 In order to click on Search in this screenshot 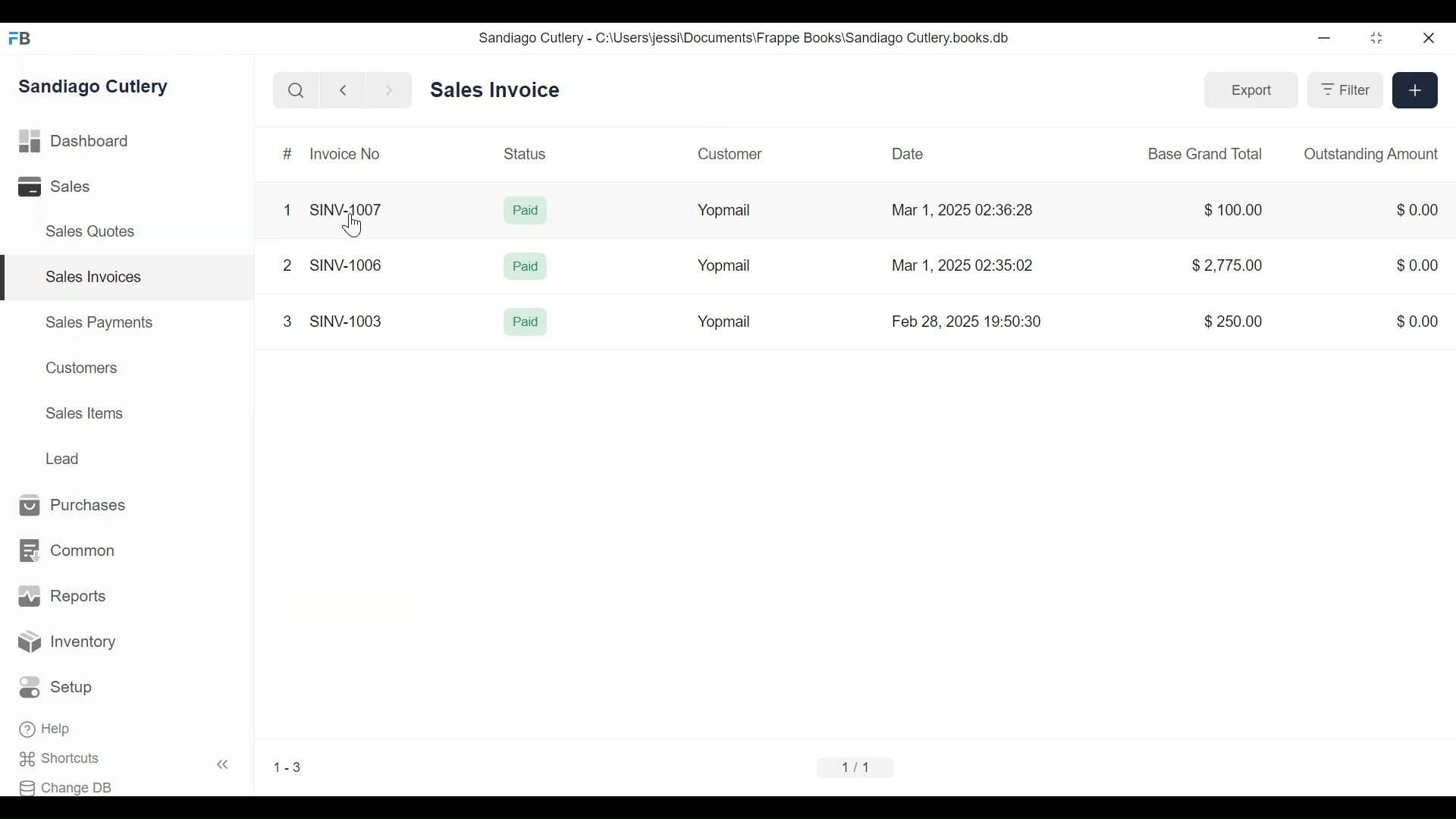, I will do `click(296, 89)`.